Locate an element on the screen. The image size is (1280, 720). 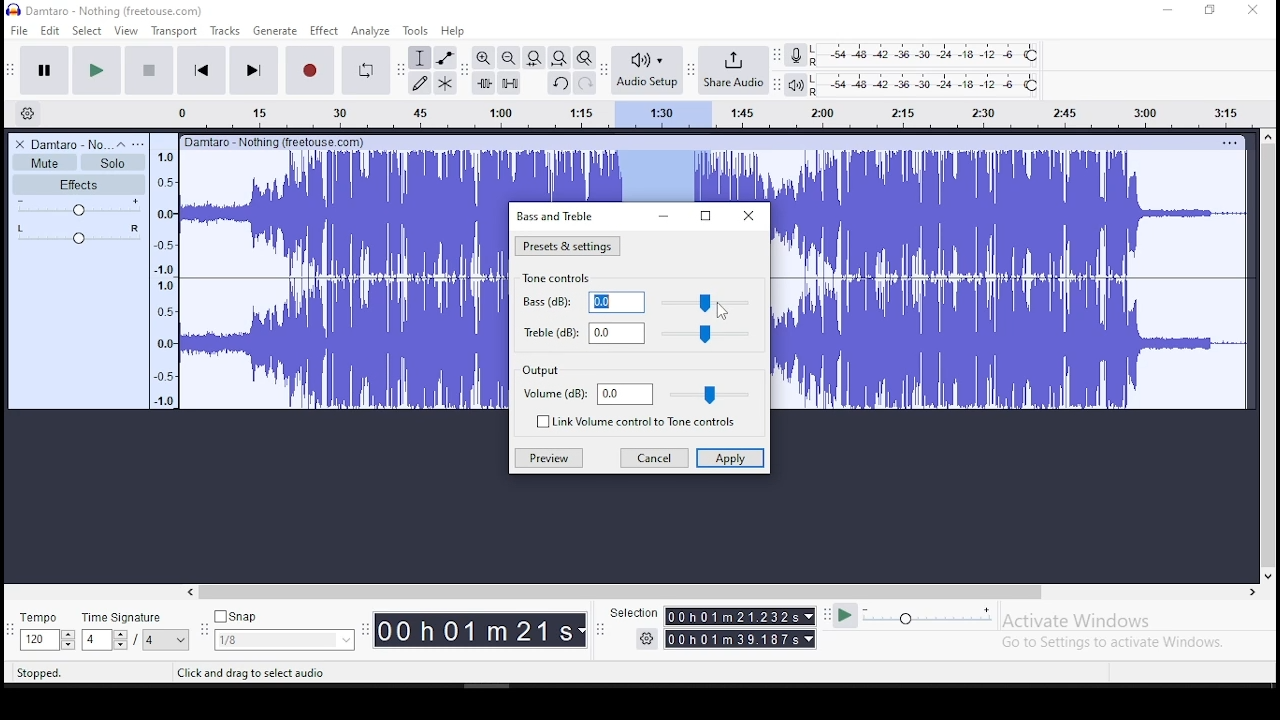
) Damtaro - Nothing (freetouse.com) is located at coordinates (107, 10).